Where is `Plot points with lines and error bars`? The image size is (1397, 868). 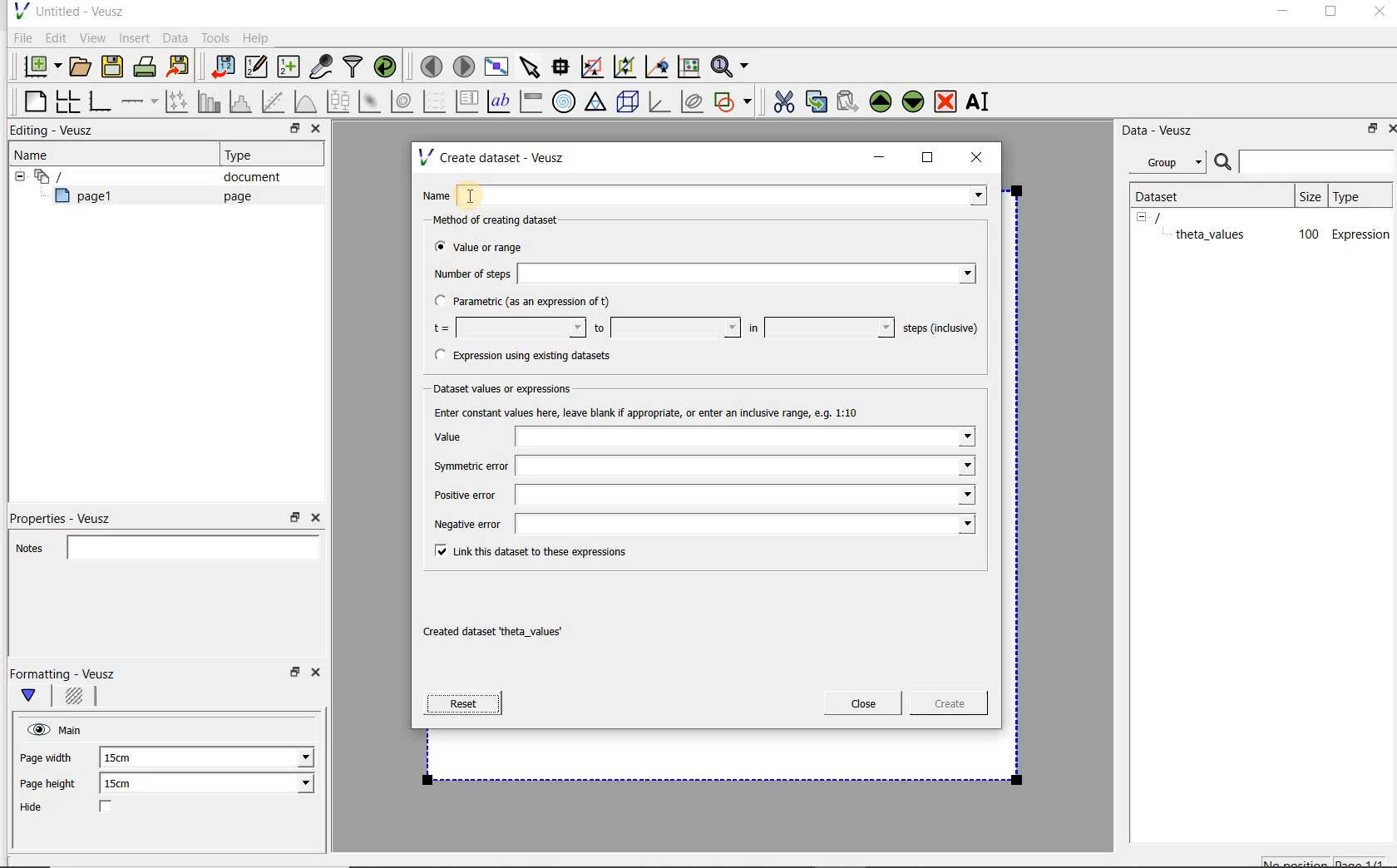 Plot points with lines and error bars is located at coordinates (178, 101).